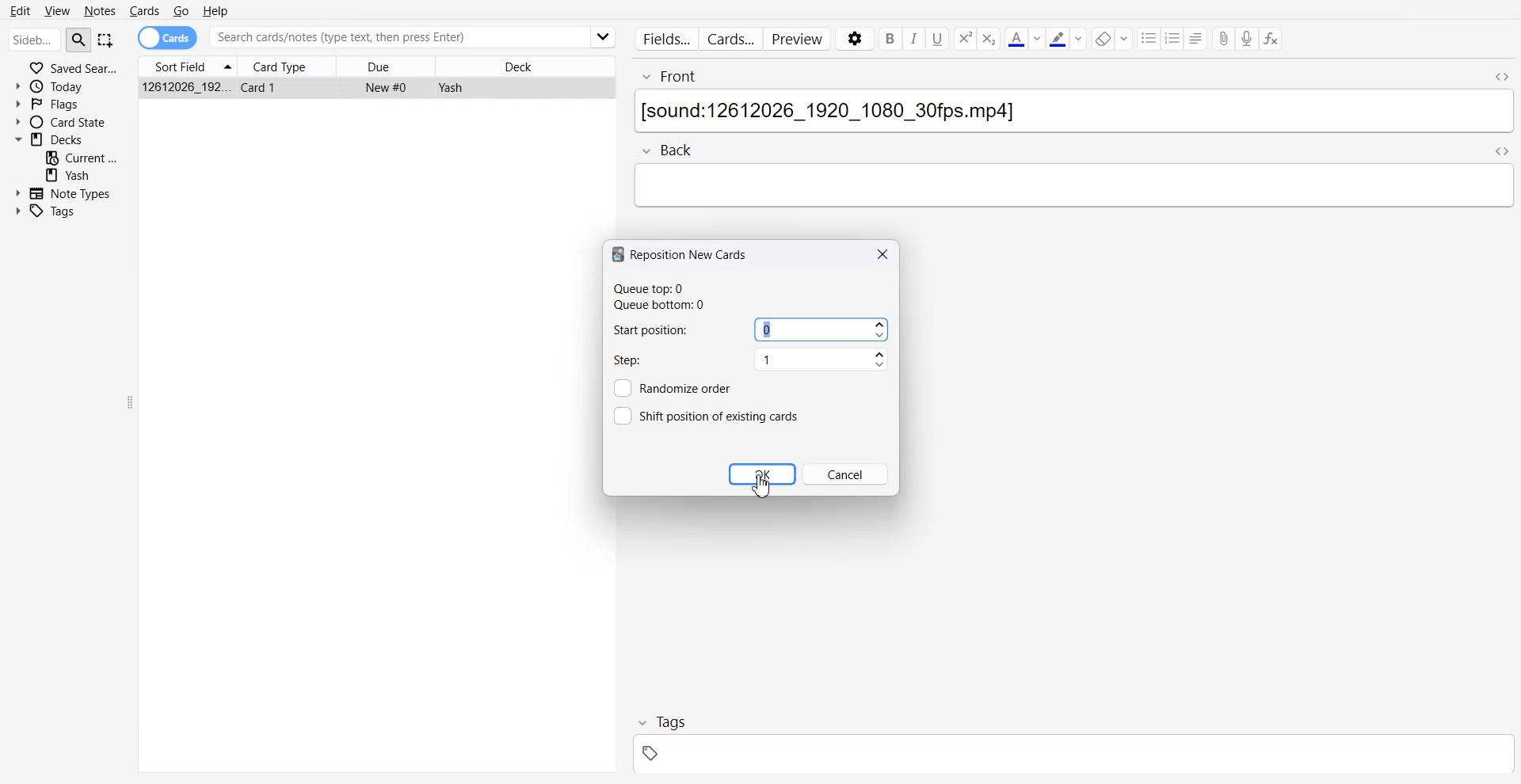 The height and width of the screenshot is (784, 1521). Describe the element at coordinates (67, 104) in the screenshot. I see `Flags` at that location.